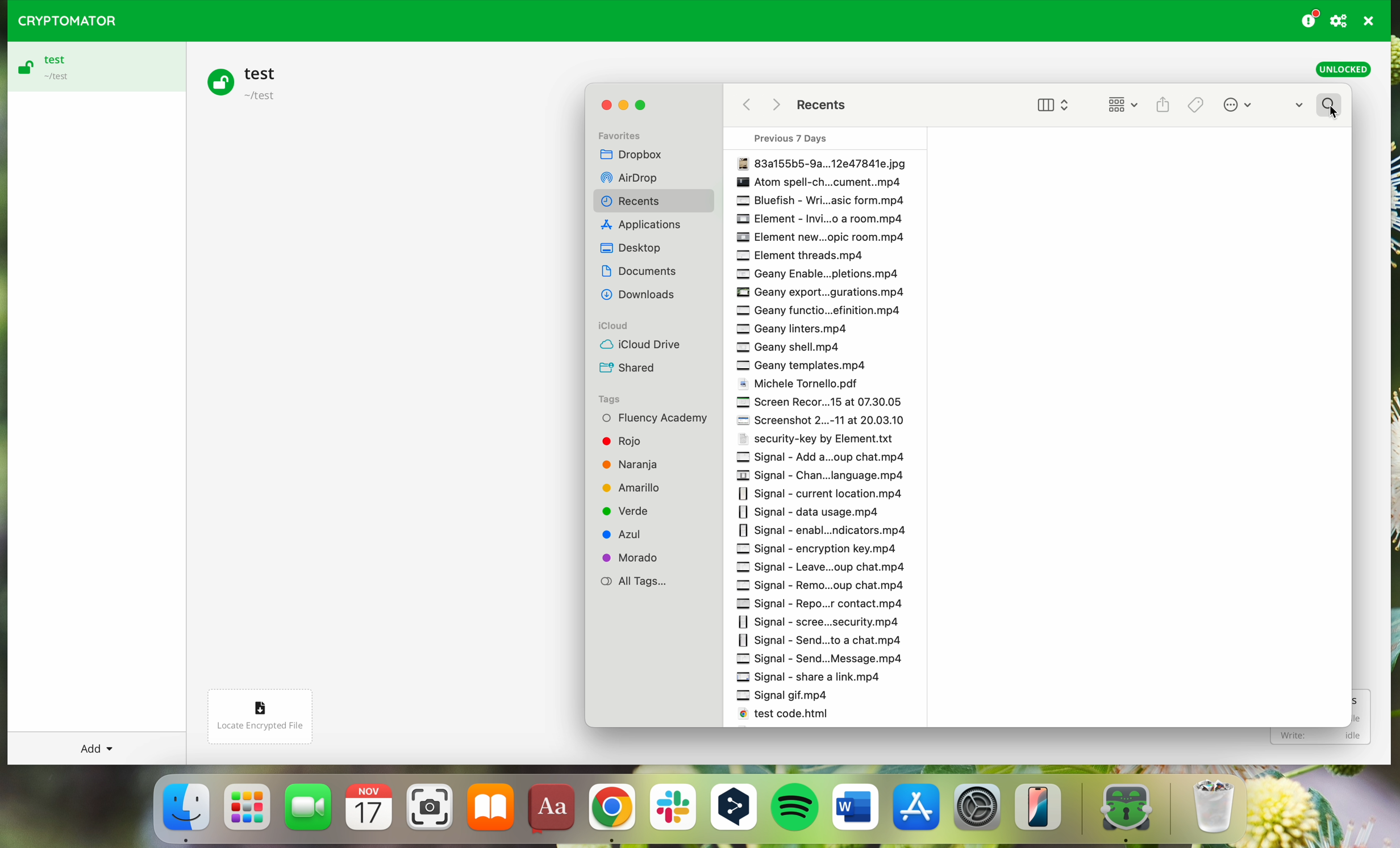 The image size is (1400, 848). Describe the element at coordinates (836, 569) in the screenshot. I see `signal leave` at that location.